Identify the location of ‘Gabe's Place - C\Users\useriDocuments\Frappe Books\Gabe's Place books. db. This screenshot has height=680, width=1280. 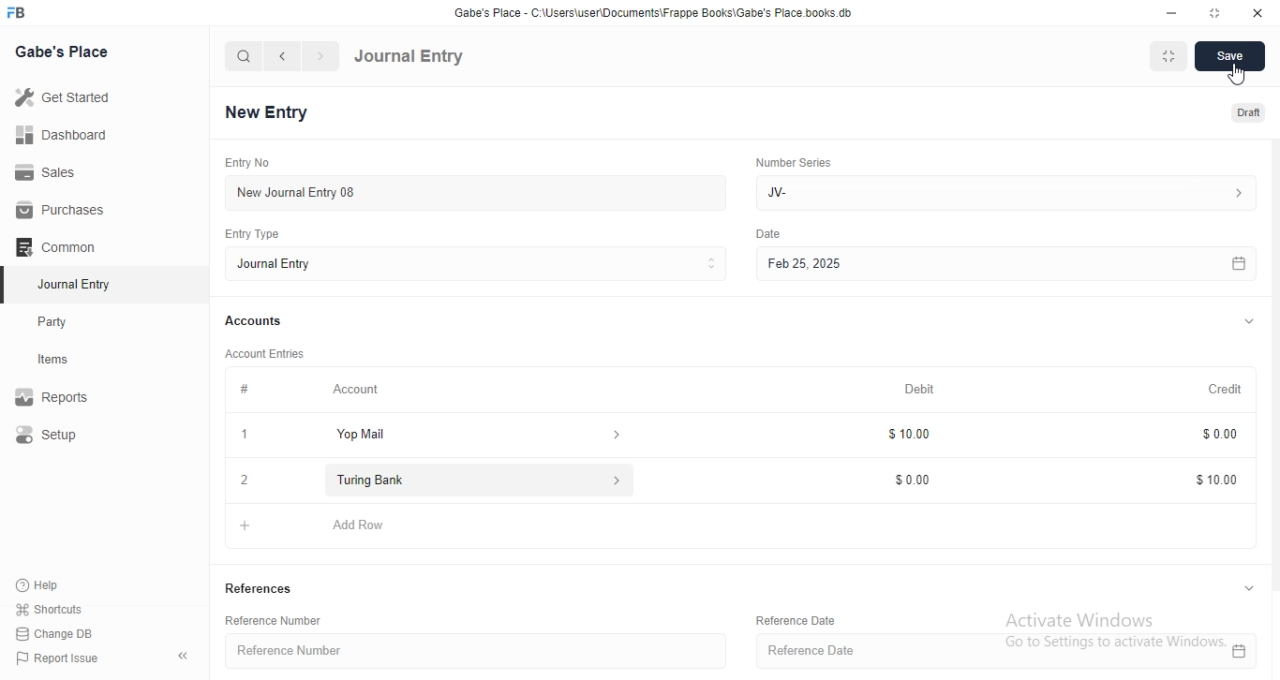
(650, 10).